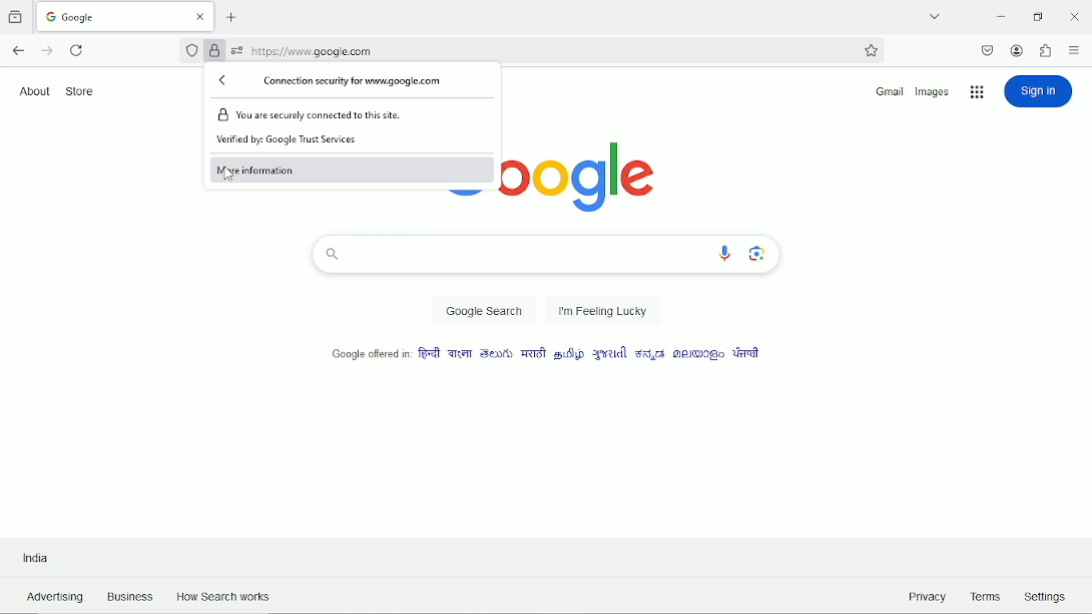 The image size is (1092, 614). Describe the element at coordinates (34, 90) in the screenshot. I see `About` at that location.